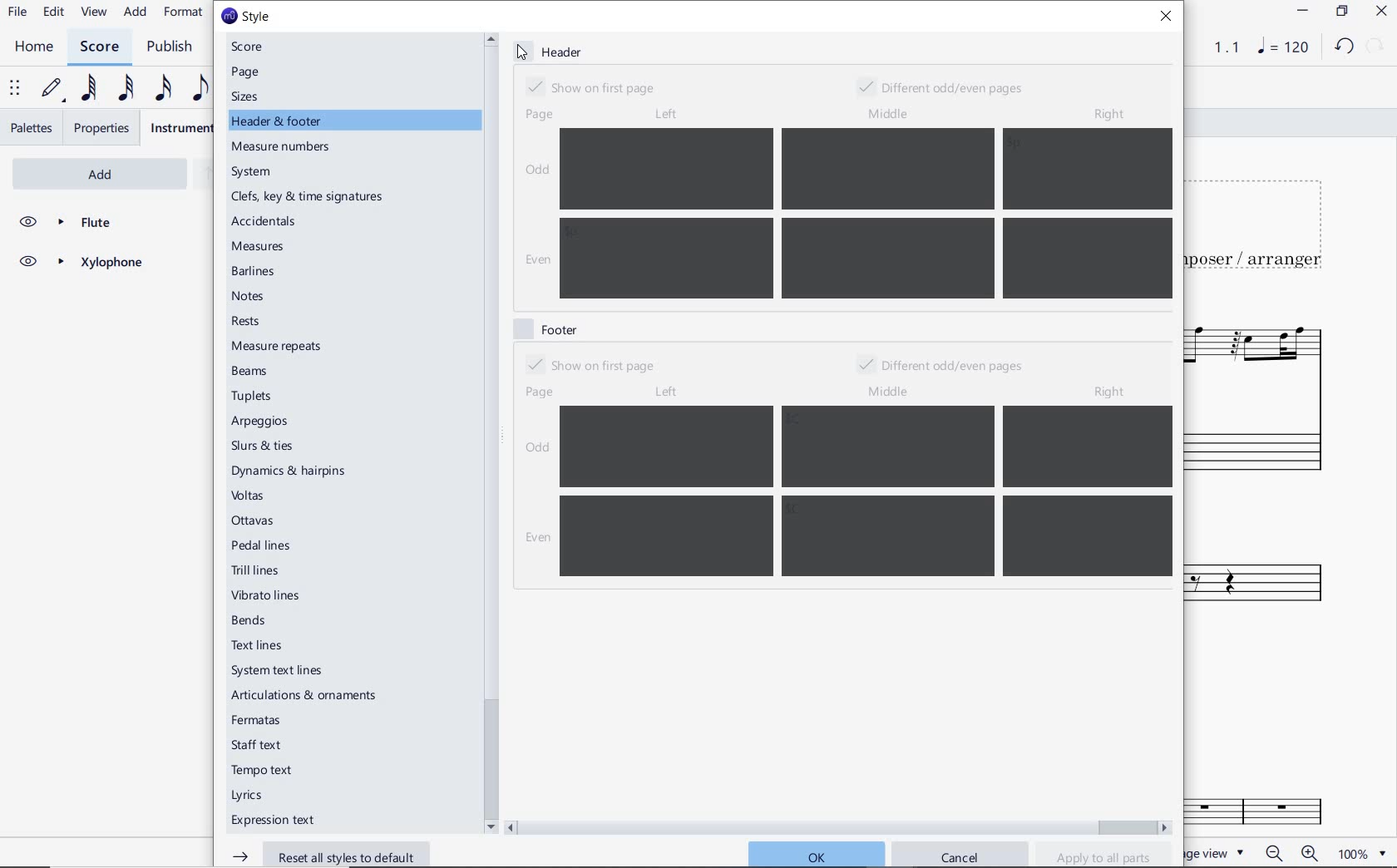 This screenshot has height=868, width=1397. Describe the element at coordinates (52, 91) in the screenshot. I see `DEFAULT (STEP TIME)` at that location.